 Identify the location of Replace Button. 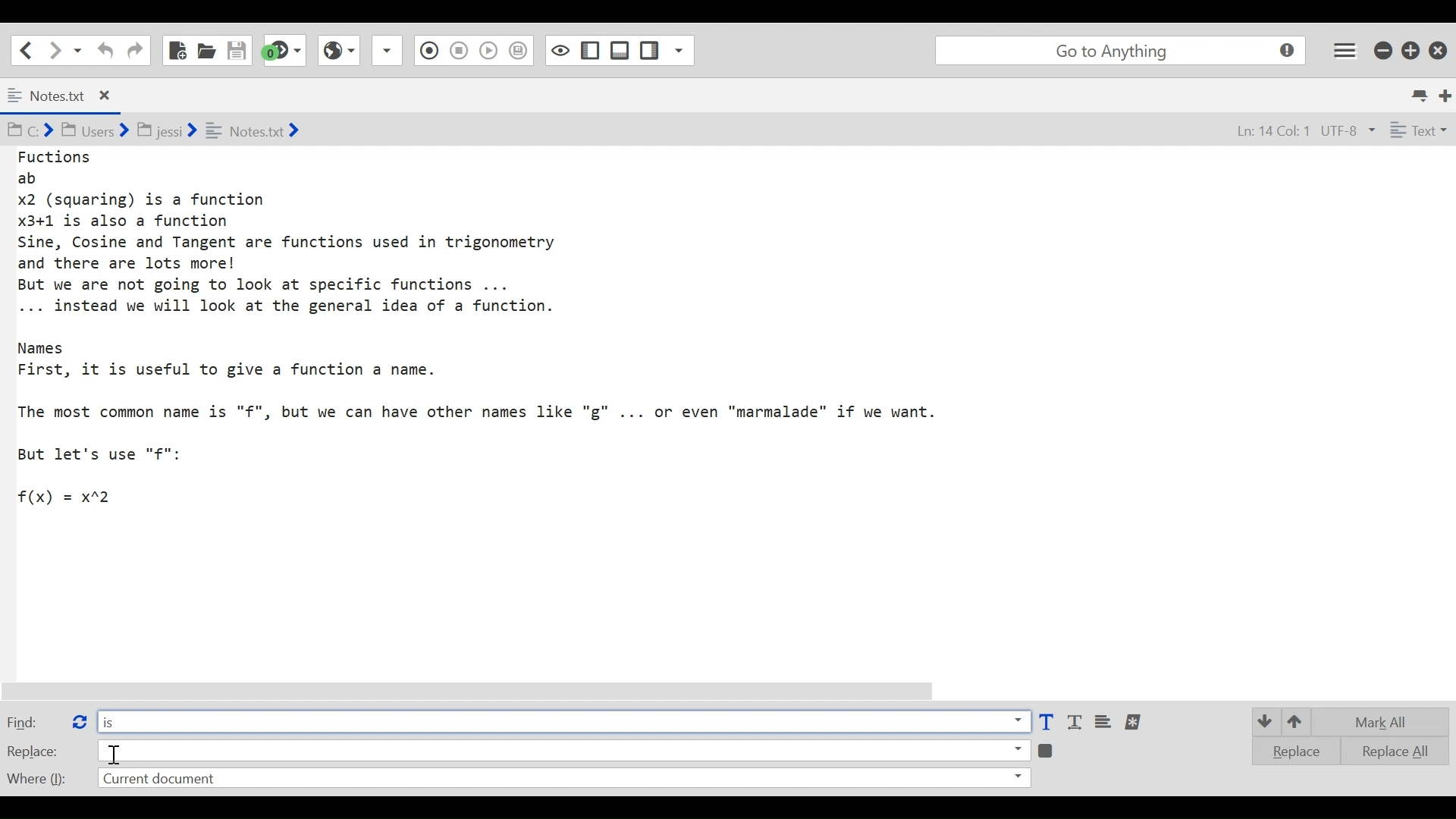
(78, 720).